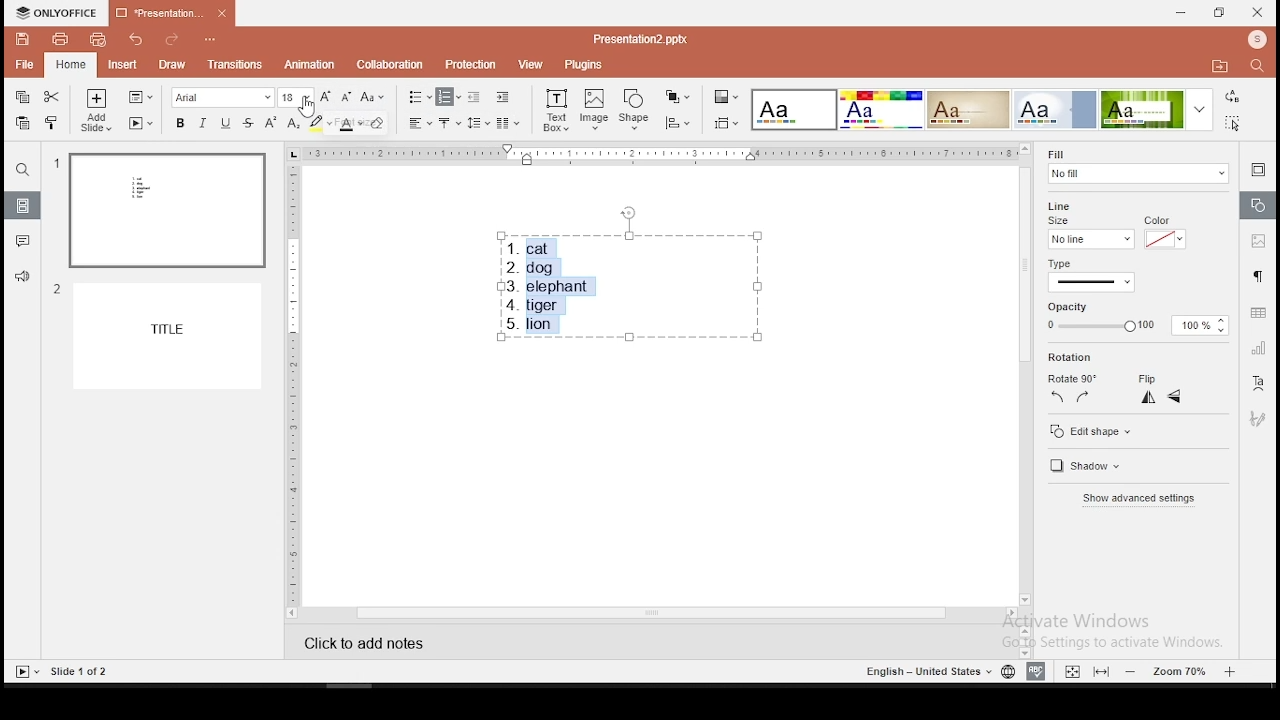 The width and height of the screenshot is (1280, 720). Describe the element at coordinates (1255, 314) in the screenshot. I see `table settings` at that location.